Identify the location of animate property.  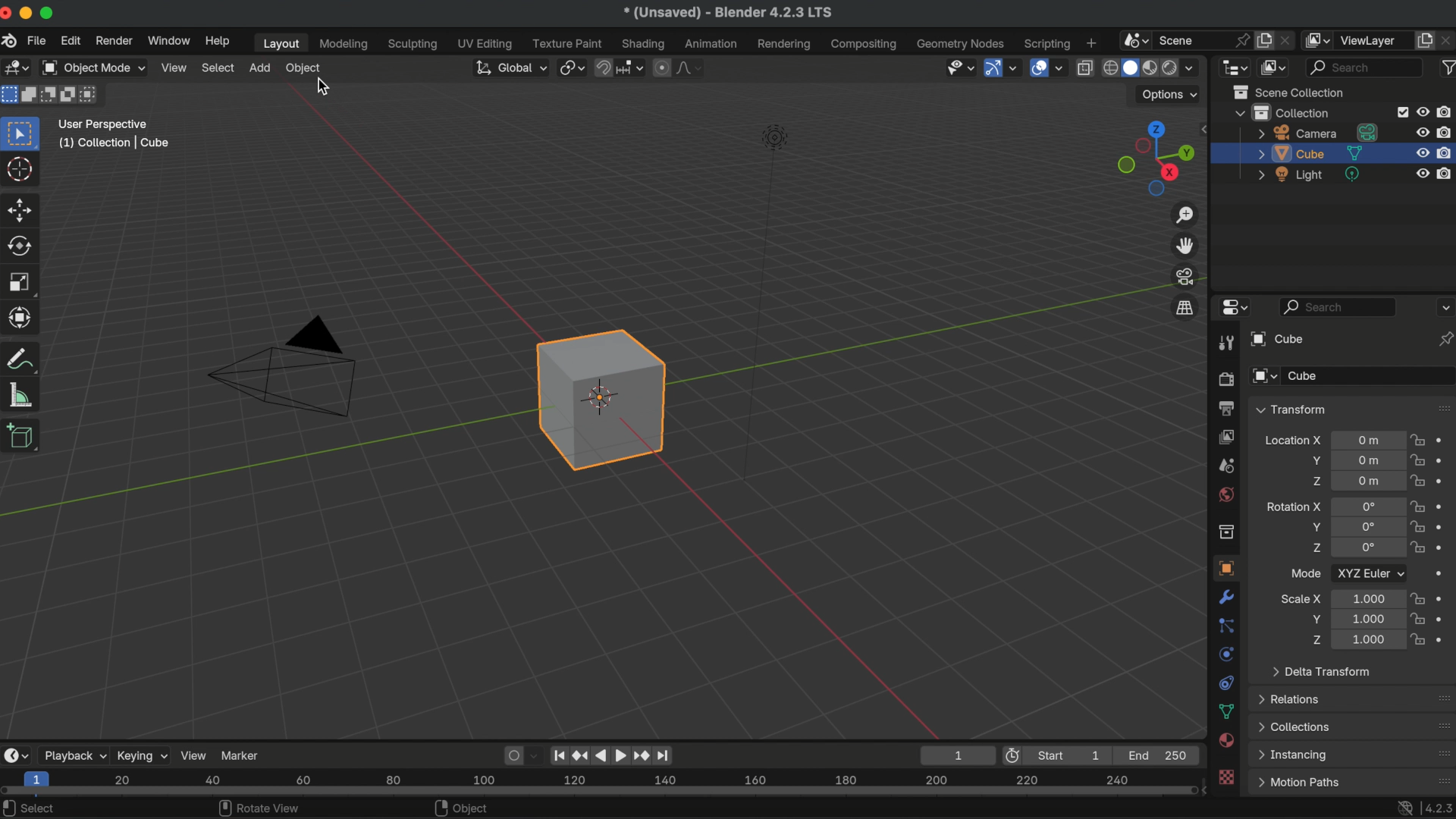
(1444, 481).